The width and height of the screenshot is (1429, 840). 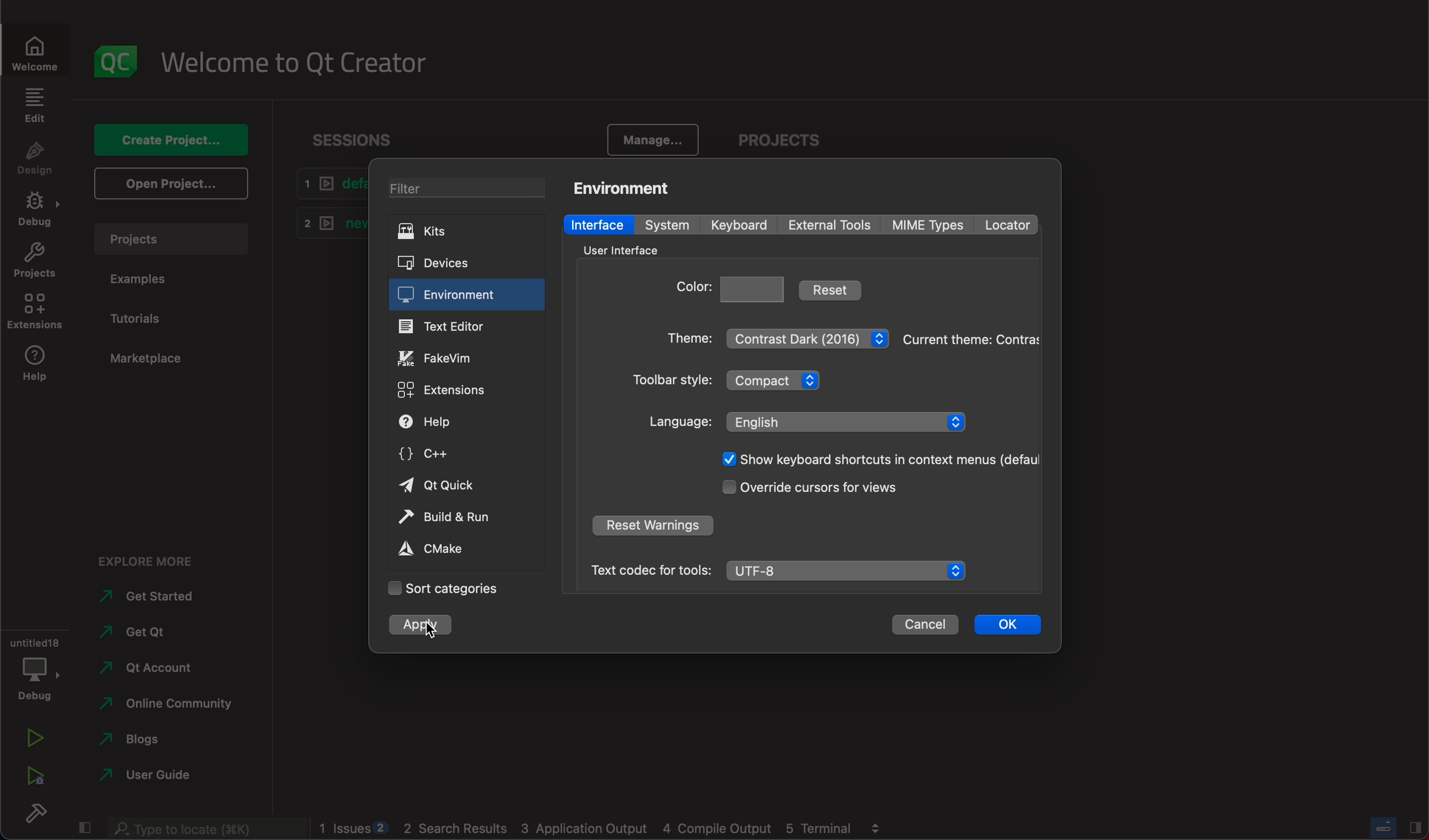 I want to click on editor, so click(x=449, y=328).